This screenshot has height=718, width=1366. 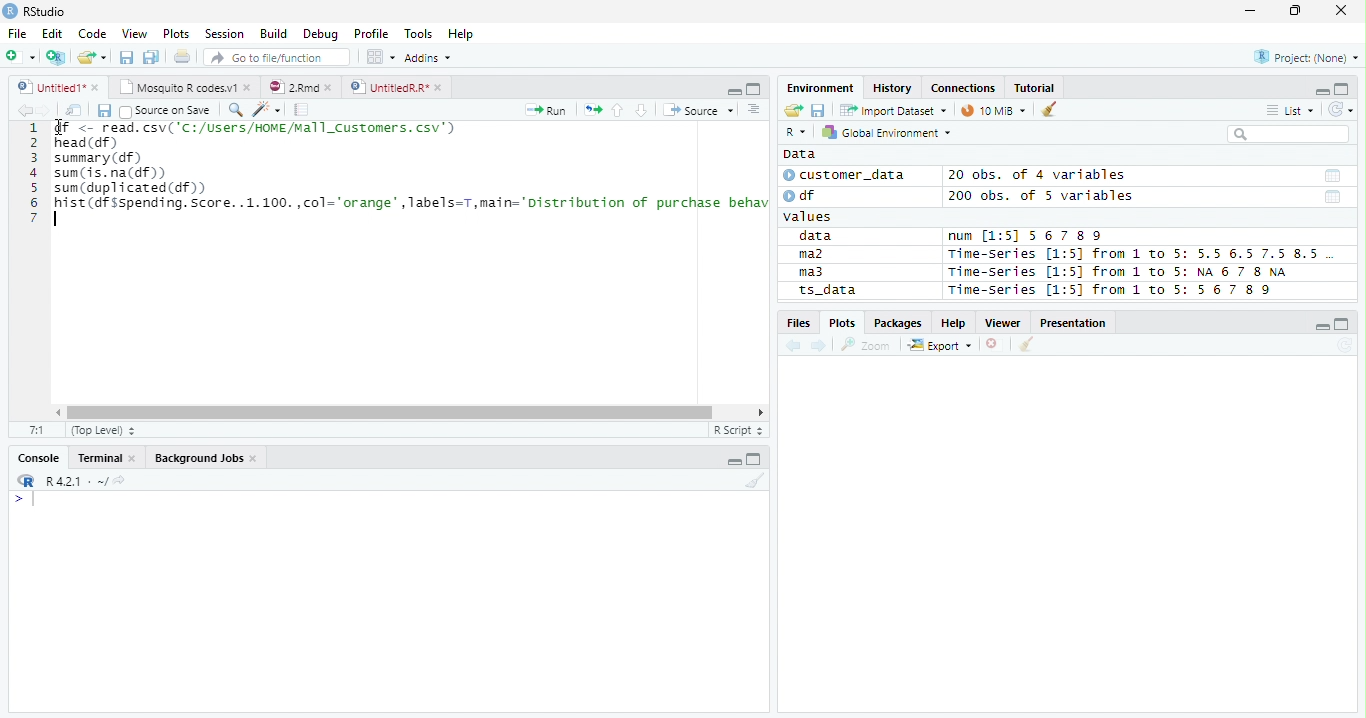 I want to click on num [1:5] 567 89, so click(x=1026, y=236).